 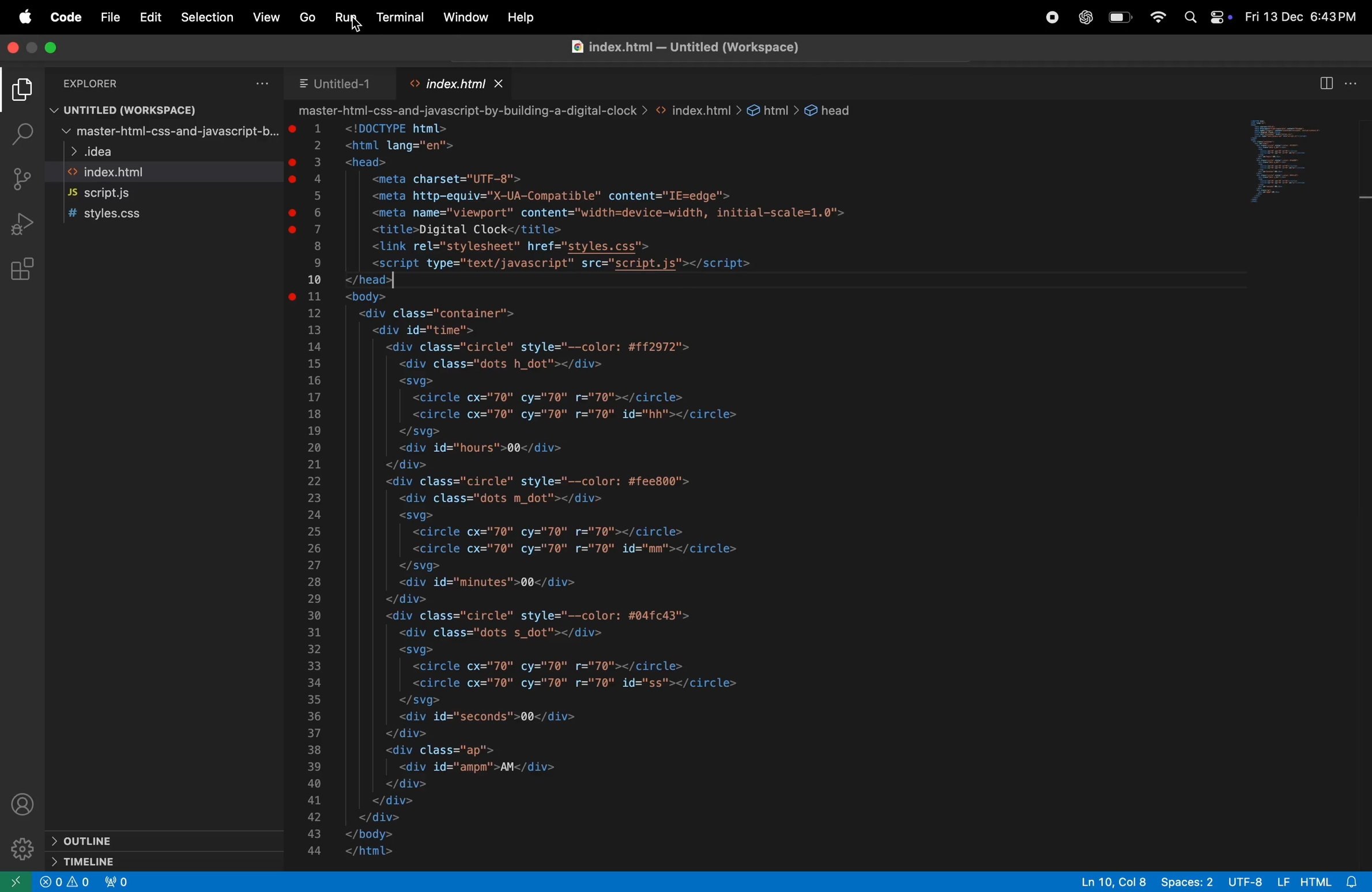 What do you see at coordinates (1123, 18) in the screenshot?
I see `battery` at bounding box center [1123, 18].